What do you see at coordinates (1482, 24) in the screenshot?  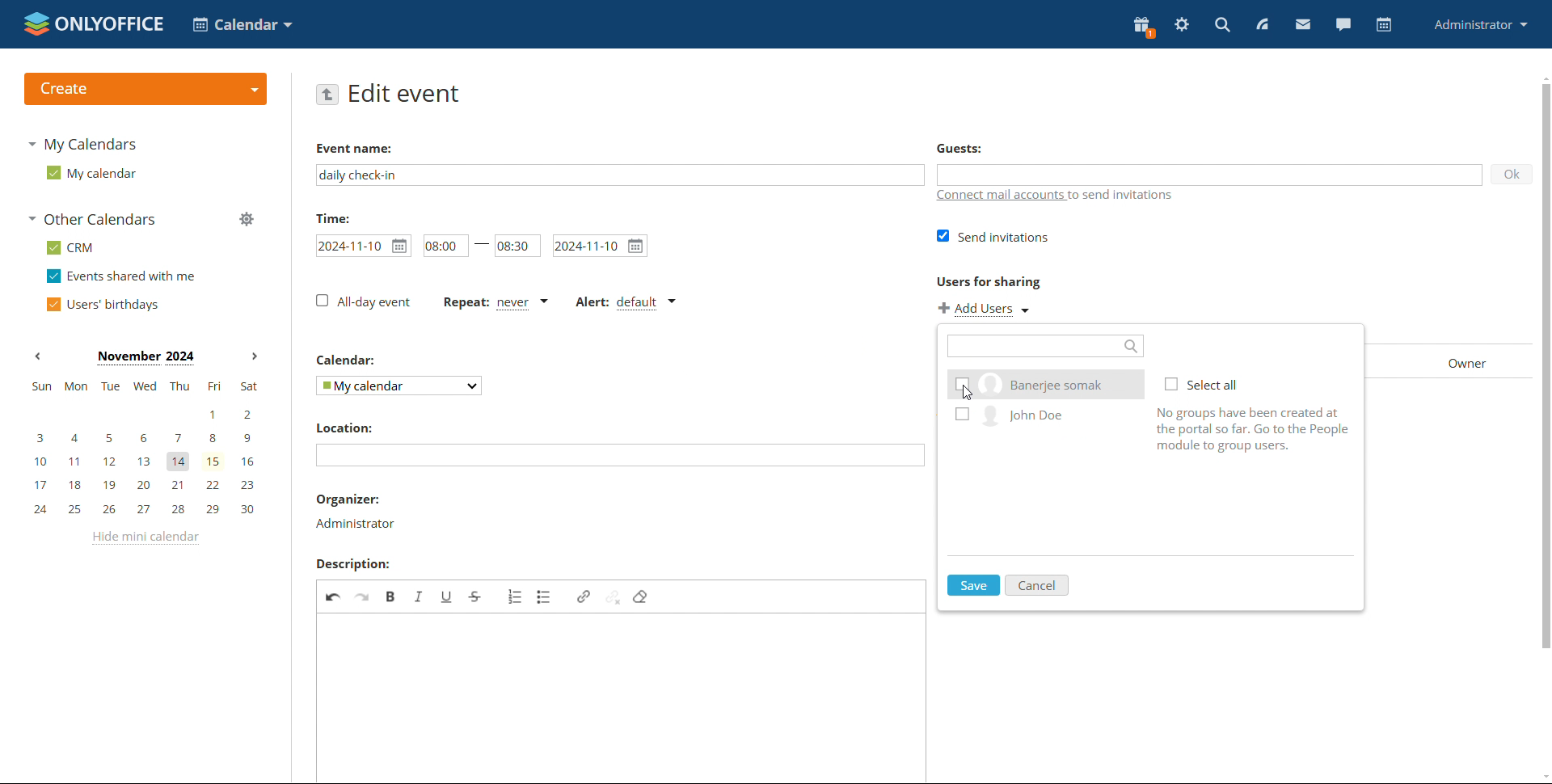 I see `profile` at bounding box center [1482, 24].